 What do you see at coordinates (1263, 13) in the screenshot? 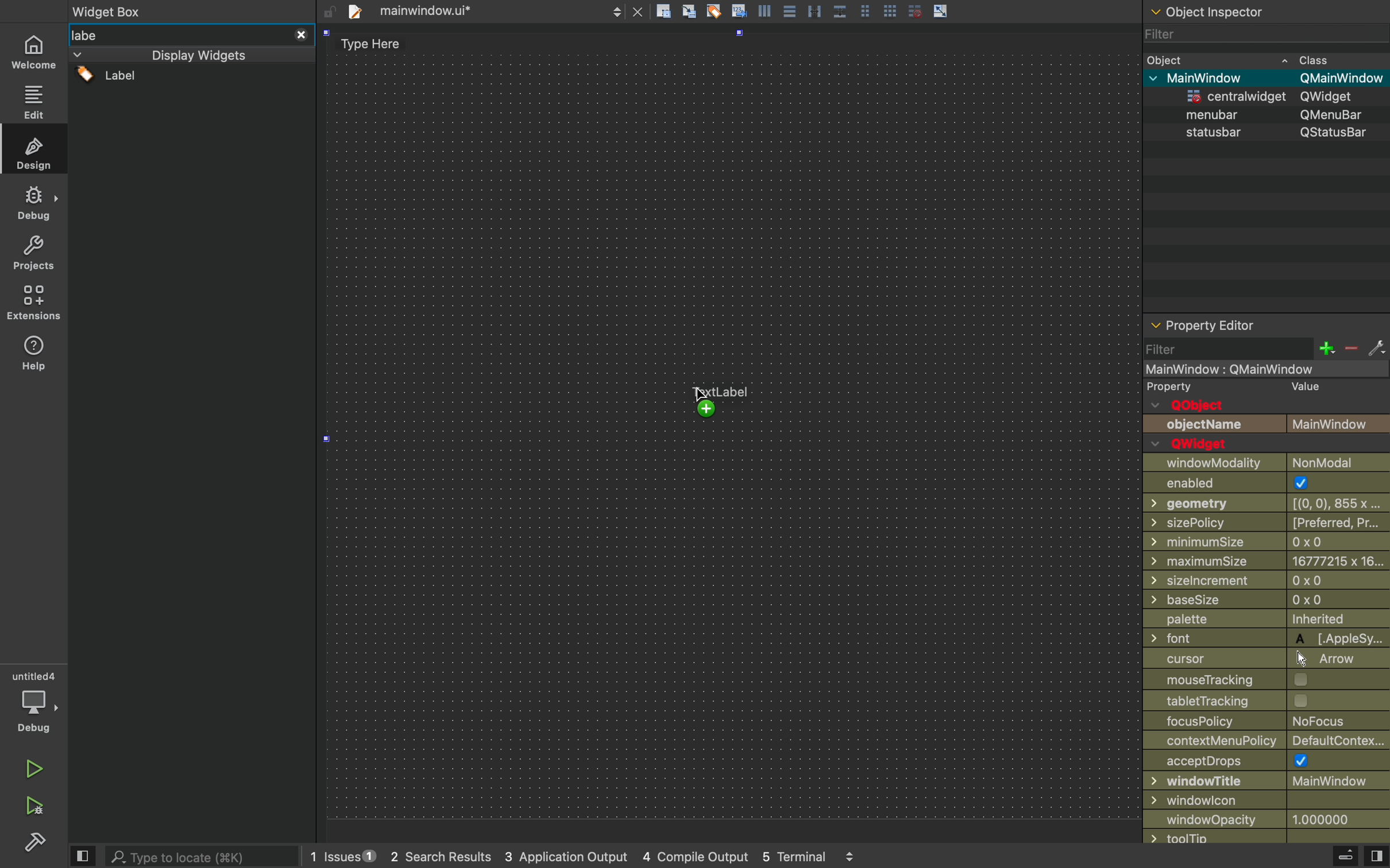
I see `object section` at bounding box center [1263, 13].